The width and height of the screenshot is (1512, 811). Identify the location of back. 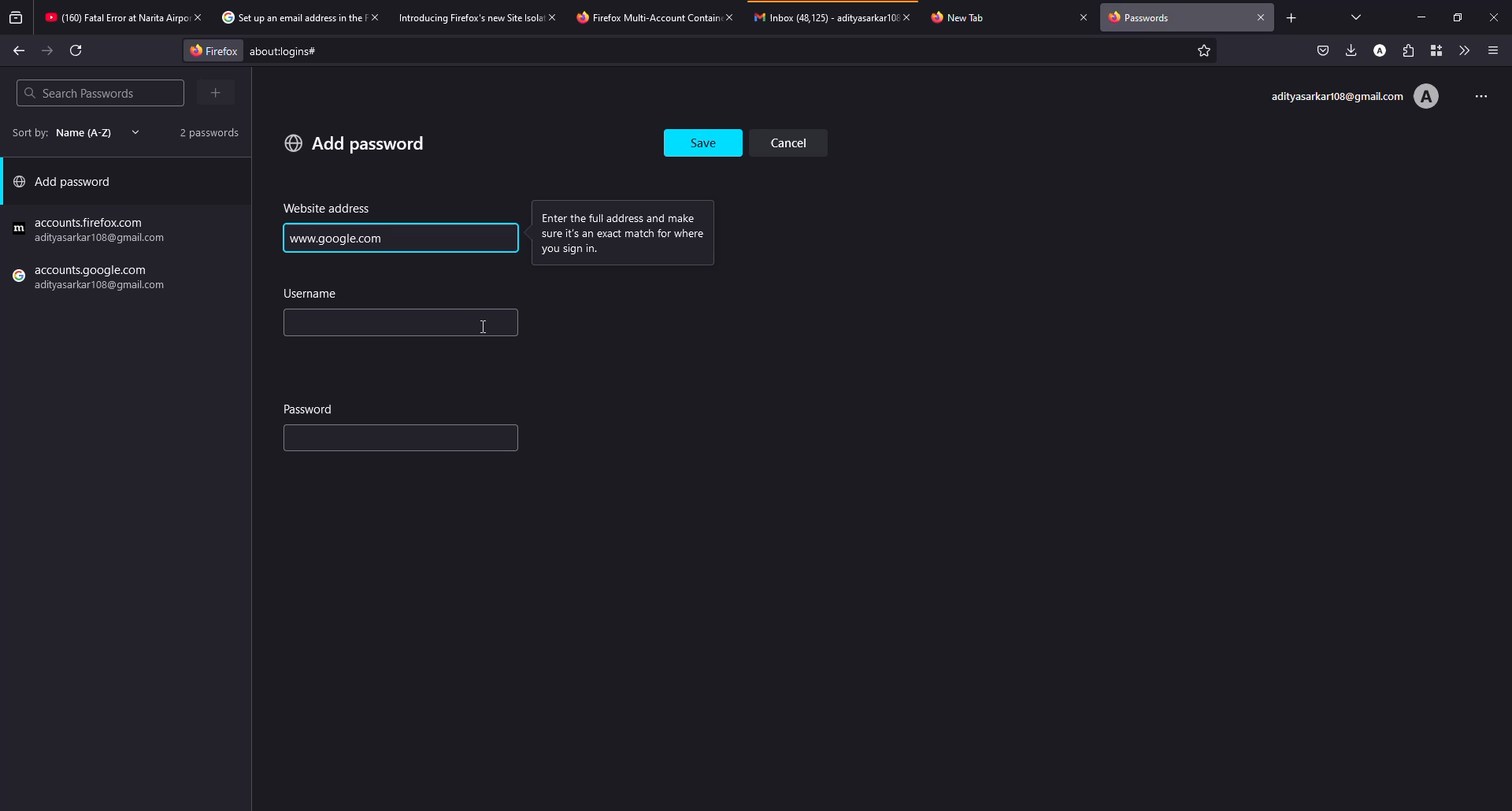
(19, 50).